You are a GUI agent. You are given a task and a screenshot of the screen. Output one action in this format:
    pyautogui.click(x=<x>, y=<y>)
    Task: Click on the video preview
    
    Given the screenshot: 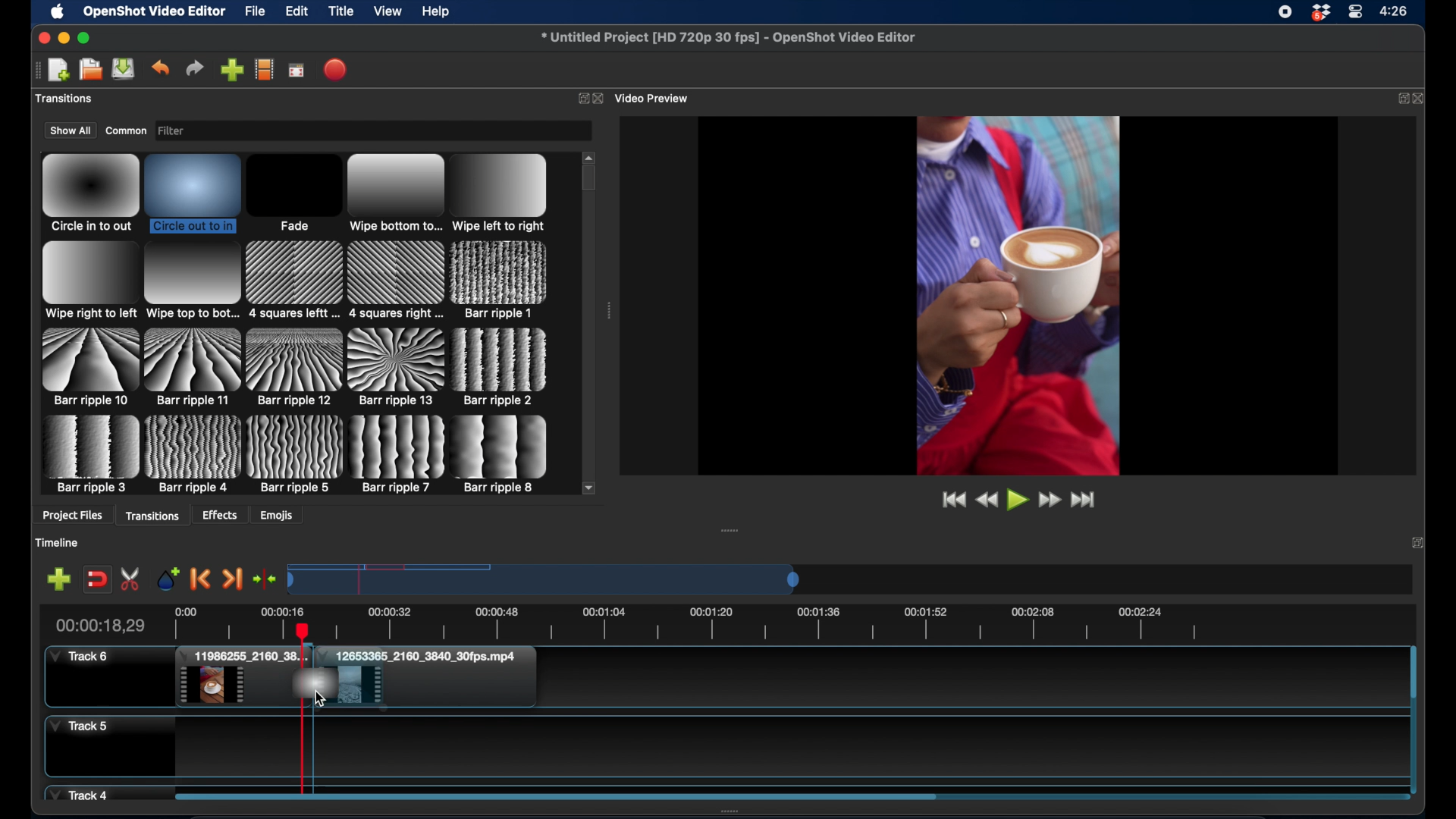 What is the action you would take?
    pyautogui.click(x=654, y=98)
    